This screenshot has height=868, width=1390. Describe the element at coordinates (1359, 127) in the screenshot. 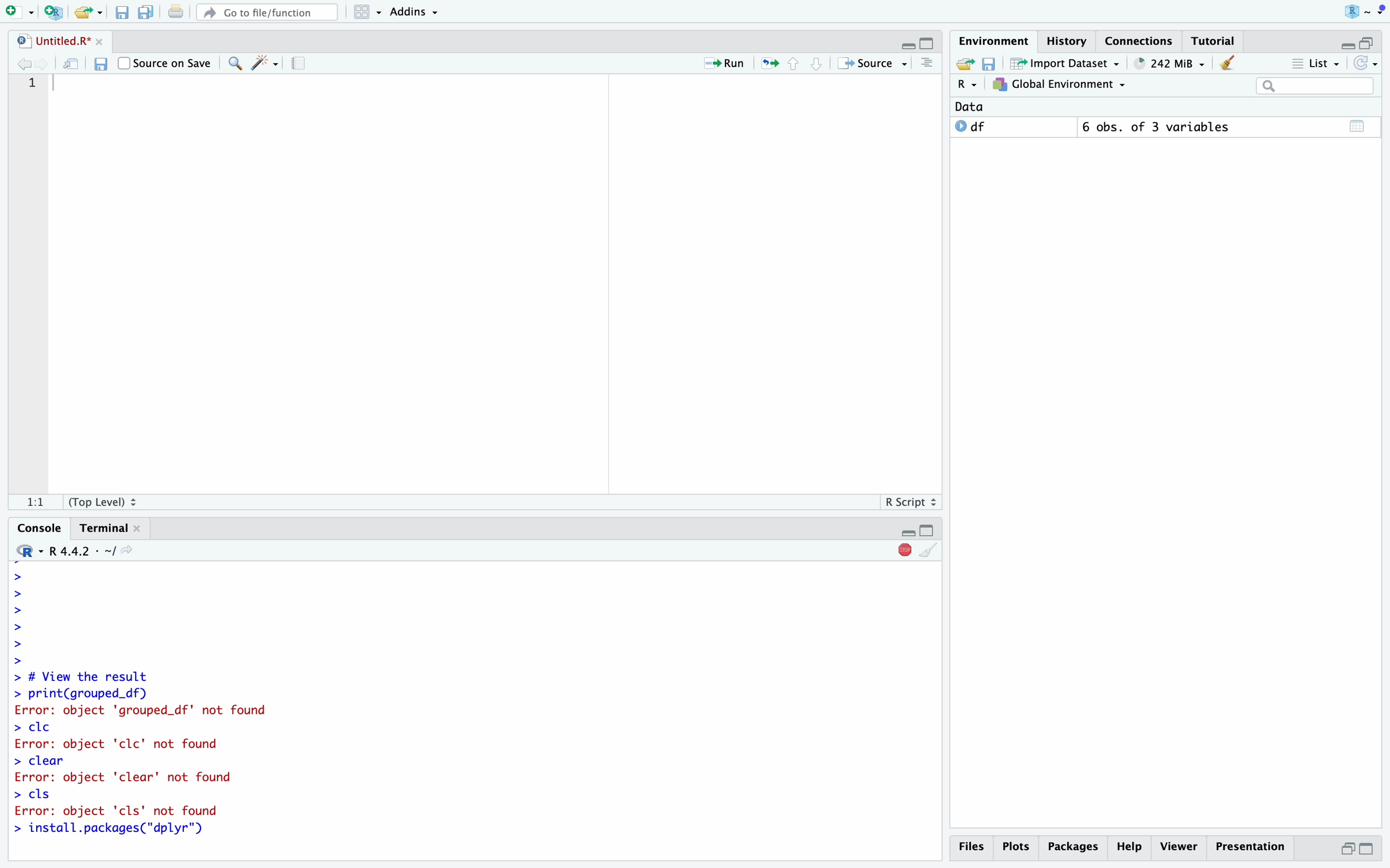

I see `Calender` at that location.